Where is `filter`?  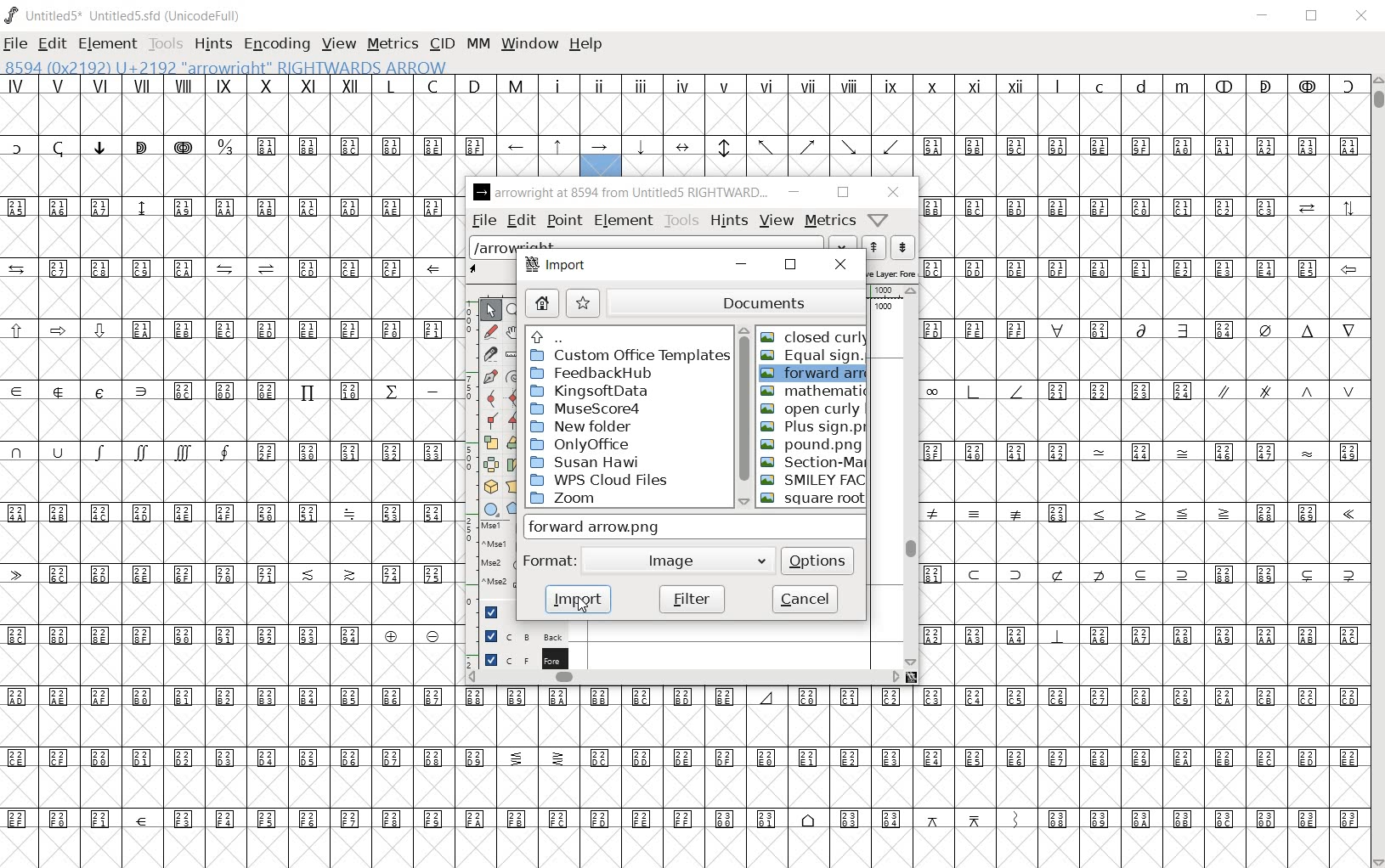 filter is located at coordinates (690, 598).